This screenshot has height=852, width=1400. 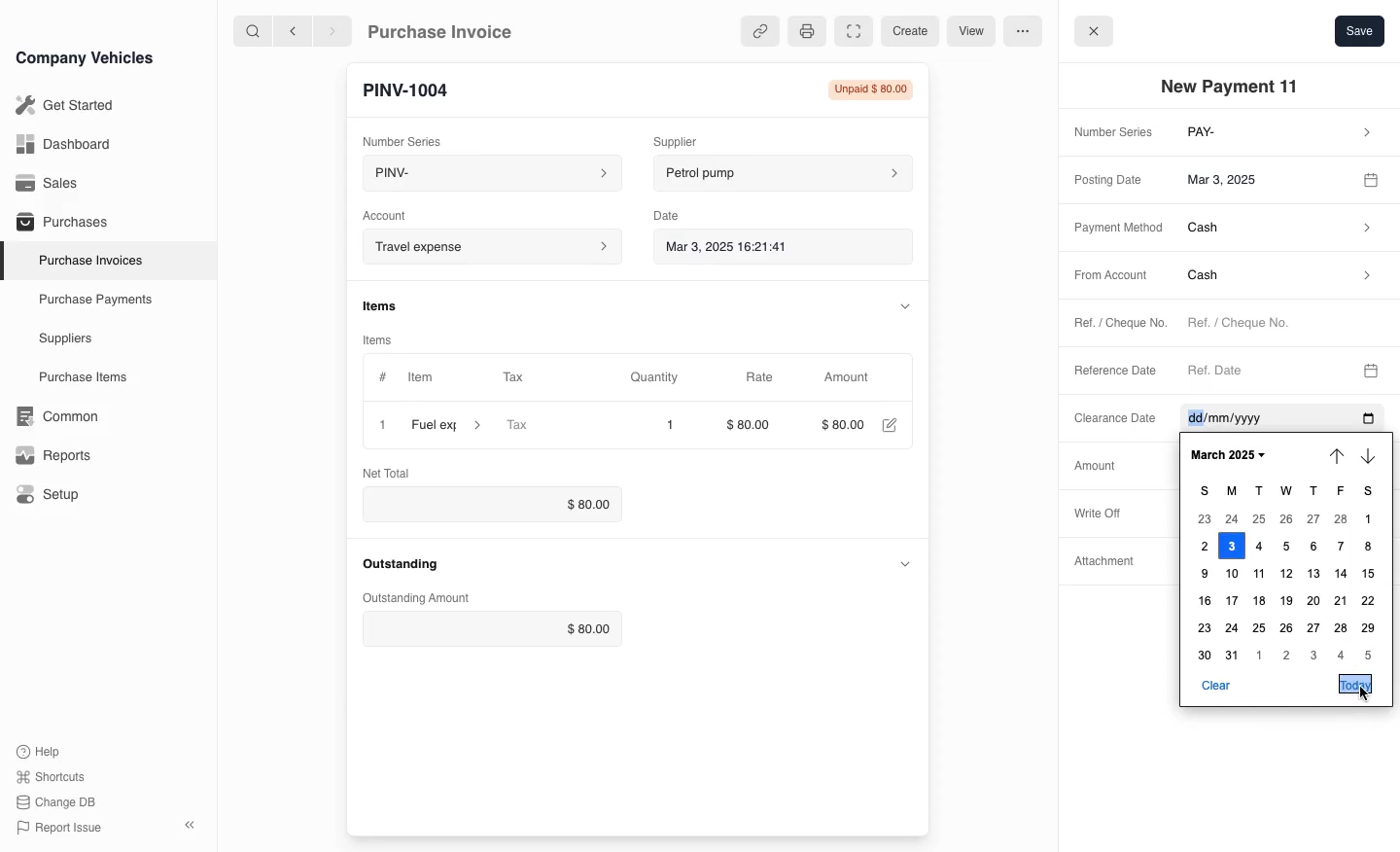 I want to click on Tax, so click(x=530, y=378).